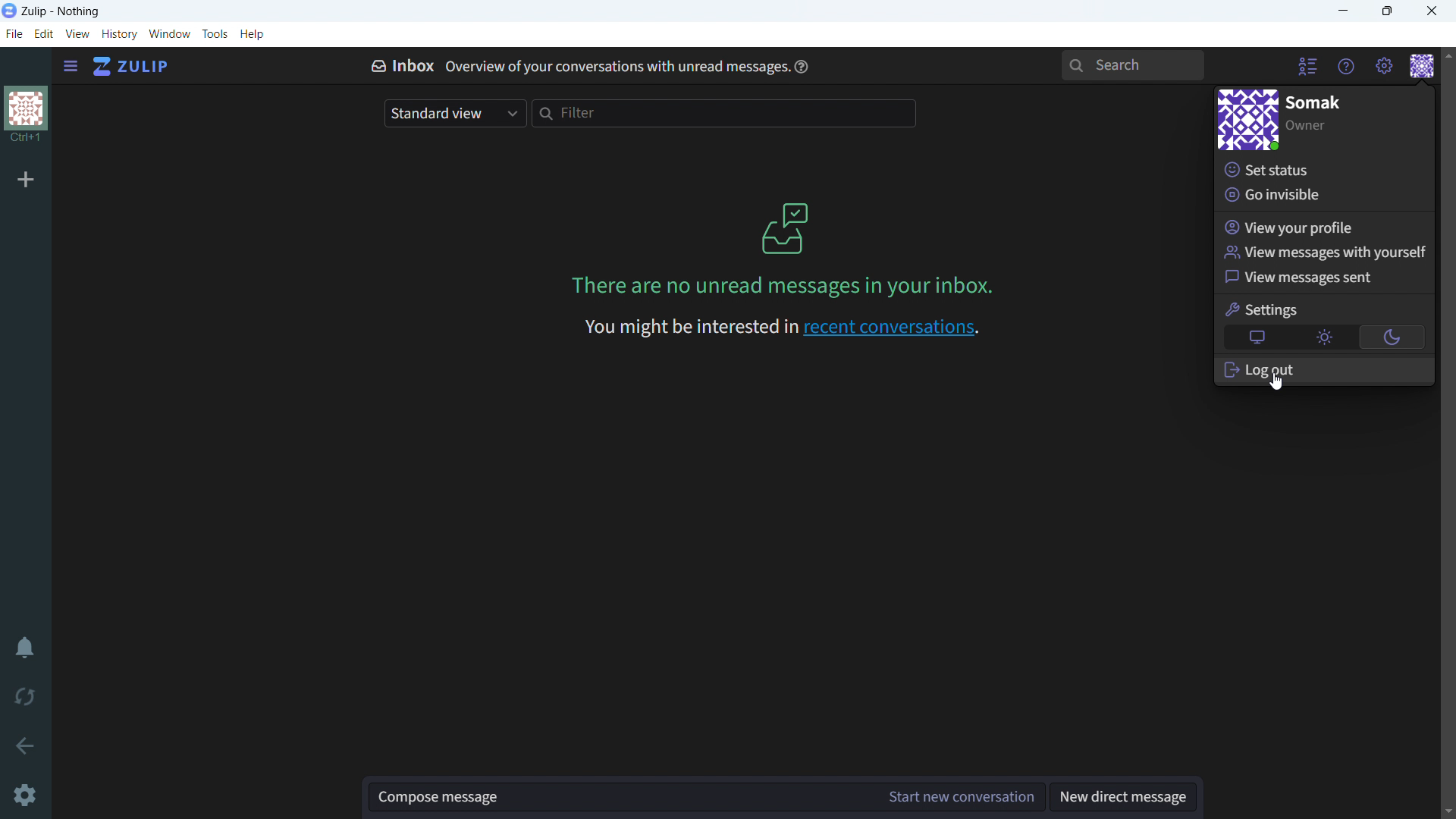  What do you see at coordinates (1324, 368) in the screenshot?
I see `log out` at bounding box center [1324, 368].